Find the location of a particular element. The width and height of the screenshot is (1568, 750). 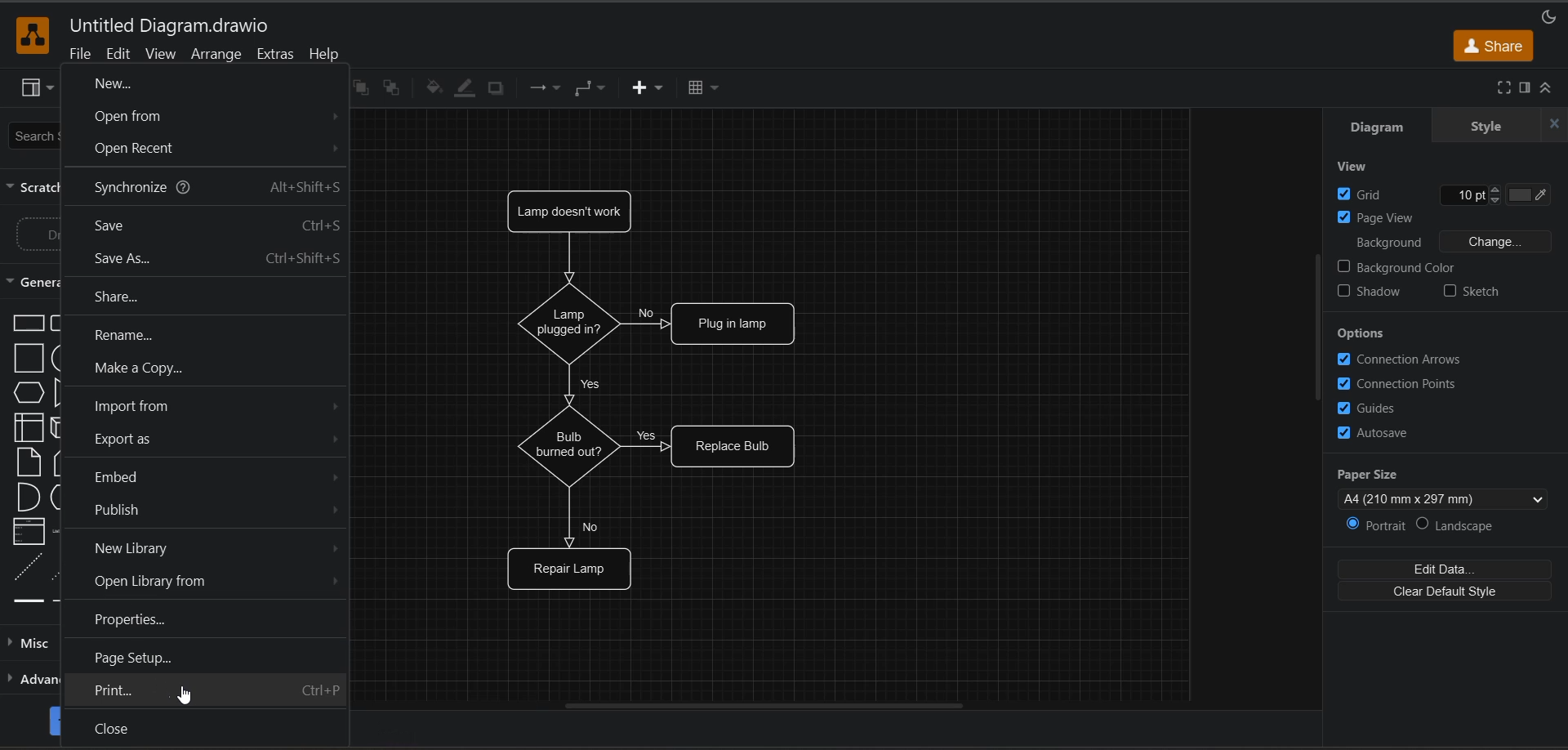

embed is located at coordinates (217, 475).